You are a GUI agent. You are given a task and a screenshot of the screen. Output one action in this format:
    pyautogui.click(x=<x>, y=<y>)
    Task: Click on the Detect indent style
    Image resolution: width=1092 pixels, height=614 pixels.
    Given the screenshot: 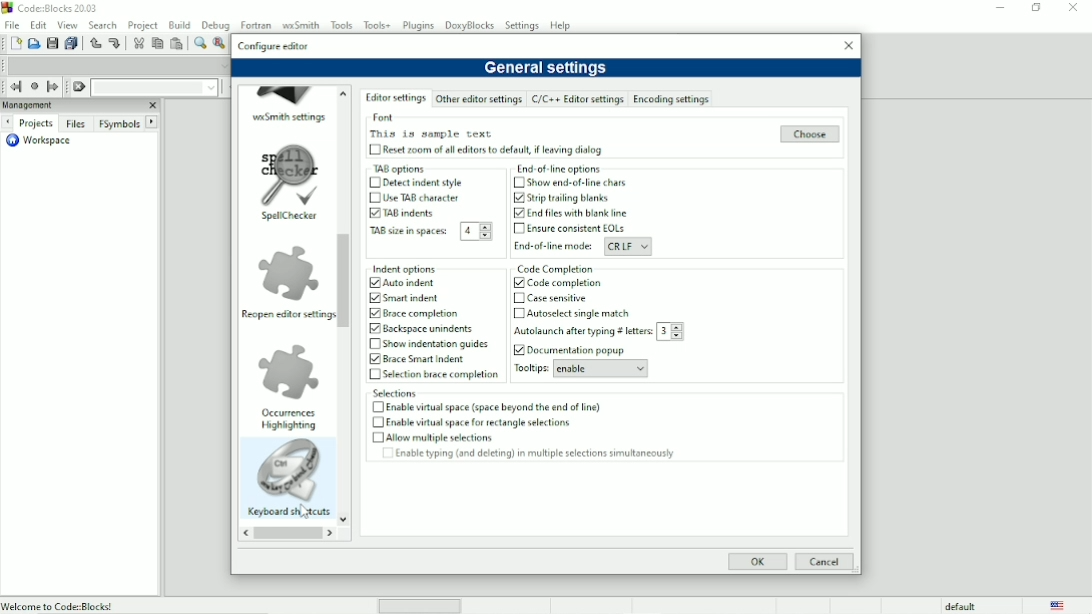 What is the action you would take?
    pyautogui.click(x=423, y=183)
    